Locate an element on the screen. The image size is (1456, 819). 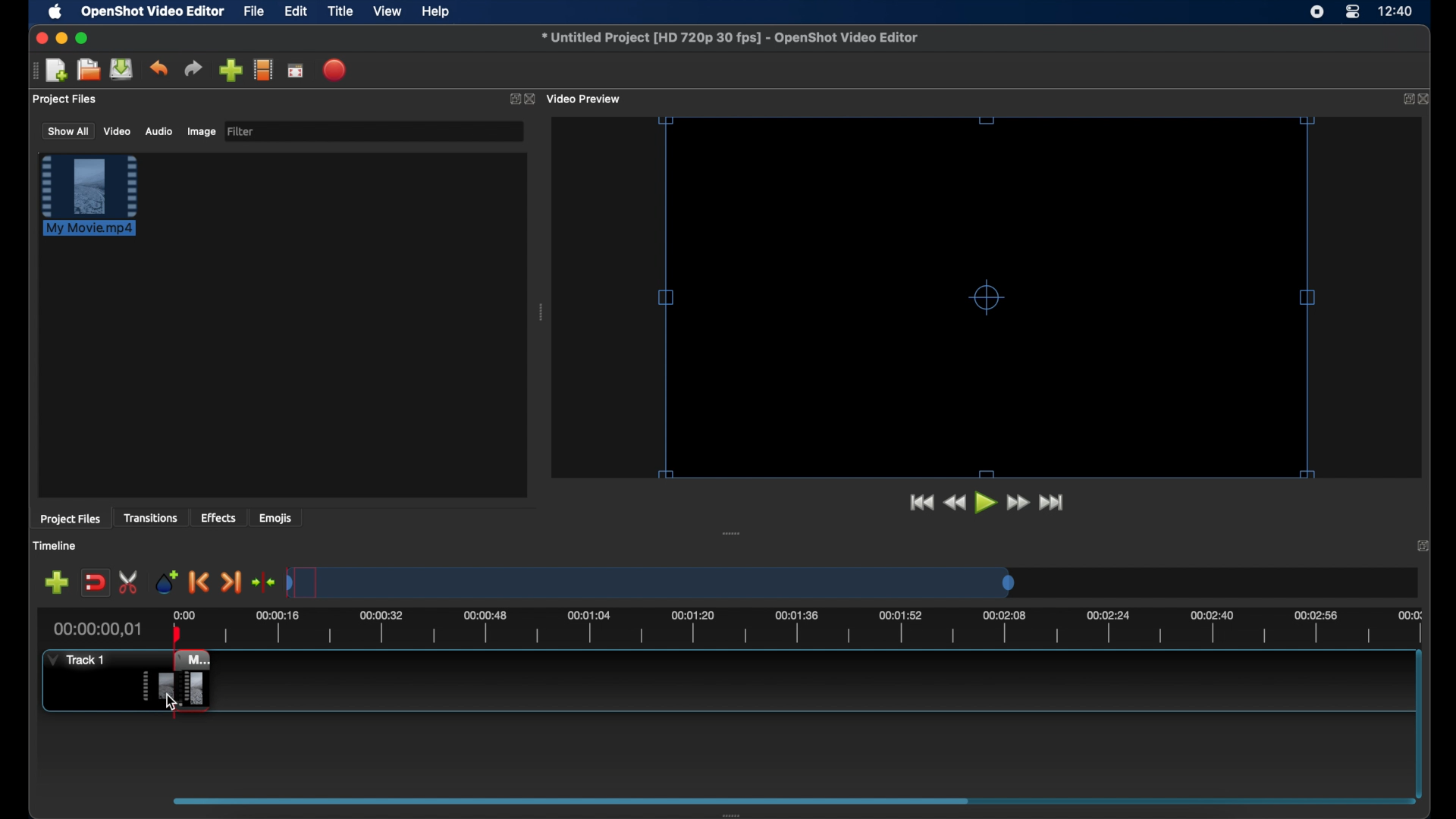
close is located at coordinates (39, 38).